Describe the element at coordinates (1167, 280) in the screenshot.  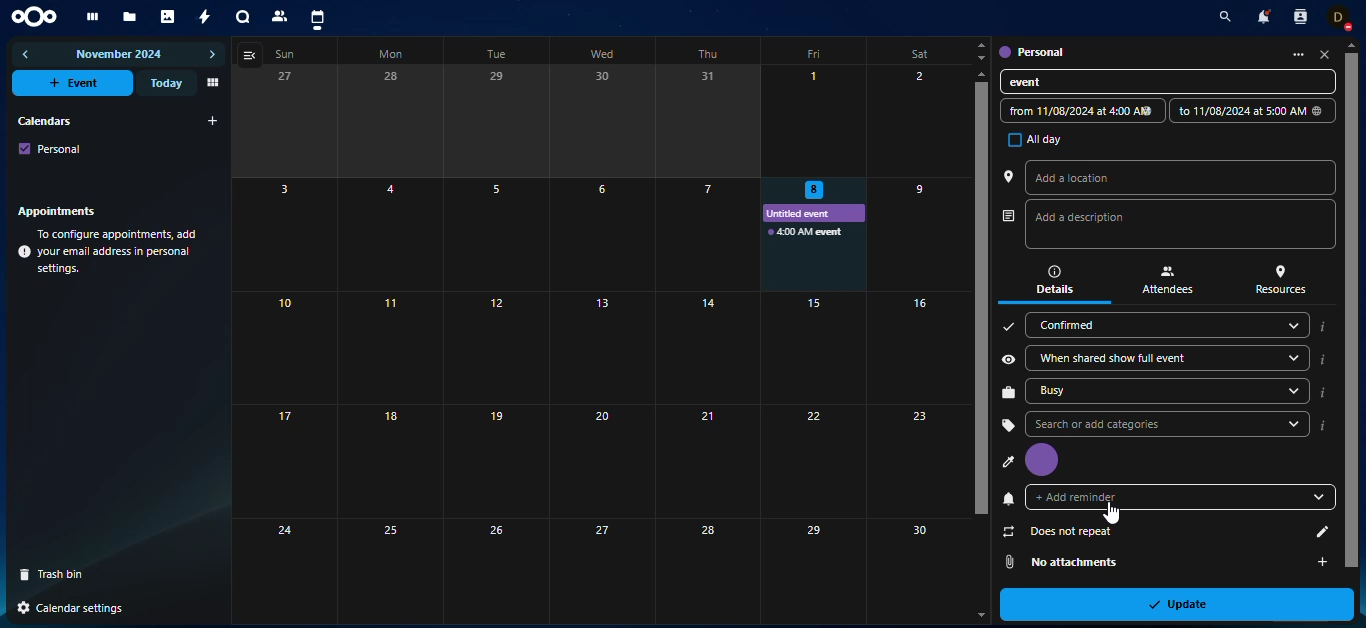
I see `attendees` at that location.